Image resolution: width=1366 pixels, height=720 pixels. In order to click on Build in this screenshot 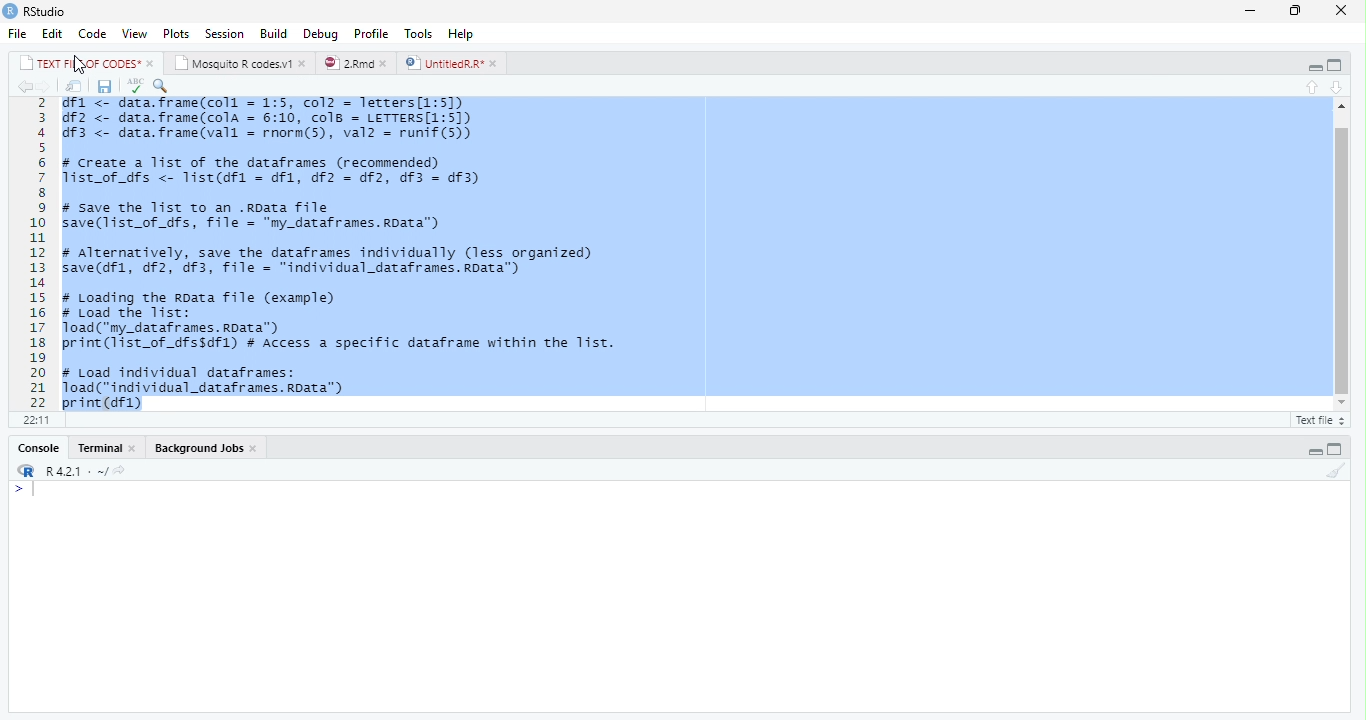, I will do `click(275, 32)`.